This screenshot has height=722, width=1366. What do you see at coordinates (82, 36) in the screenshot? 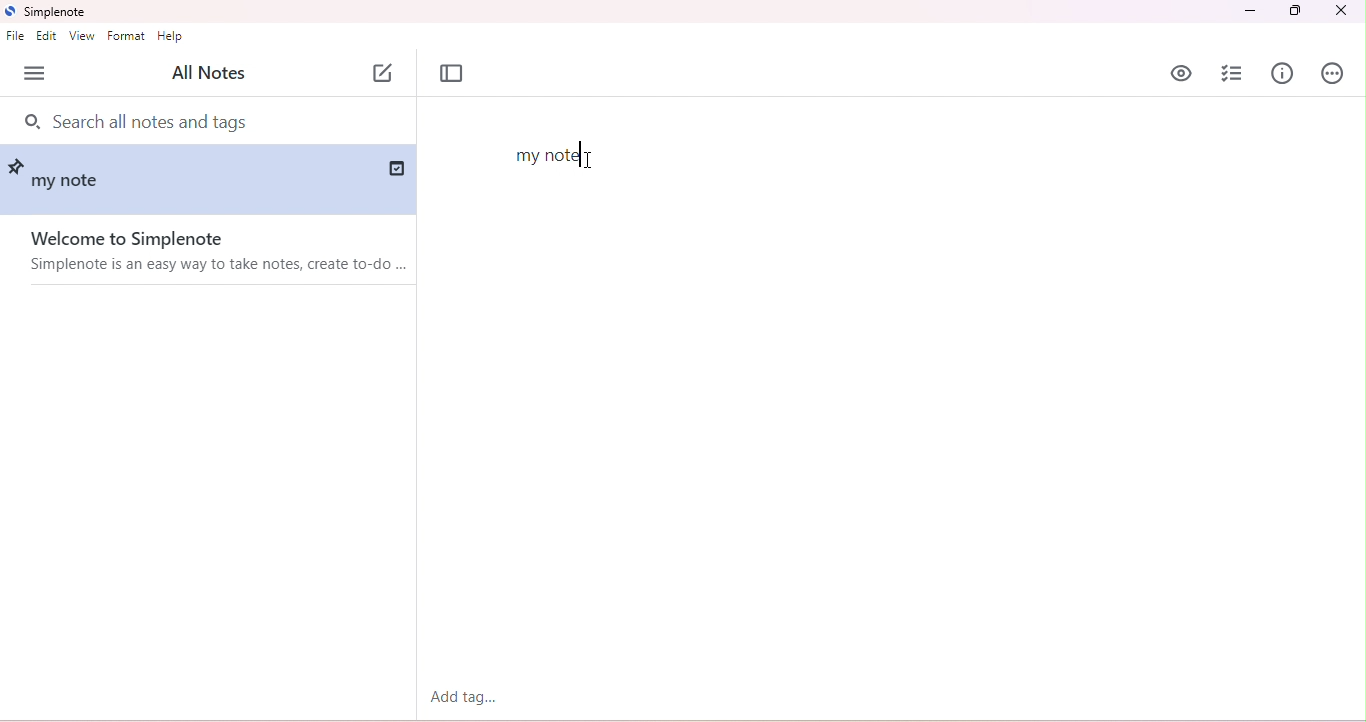
I see `view` at bounding box center [82, 36].